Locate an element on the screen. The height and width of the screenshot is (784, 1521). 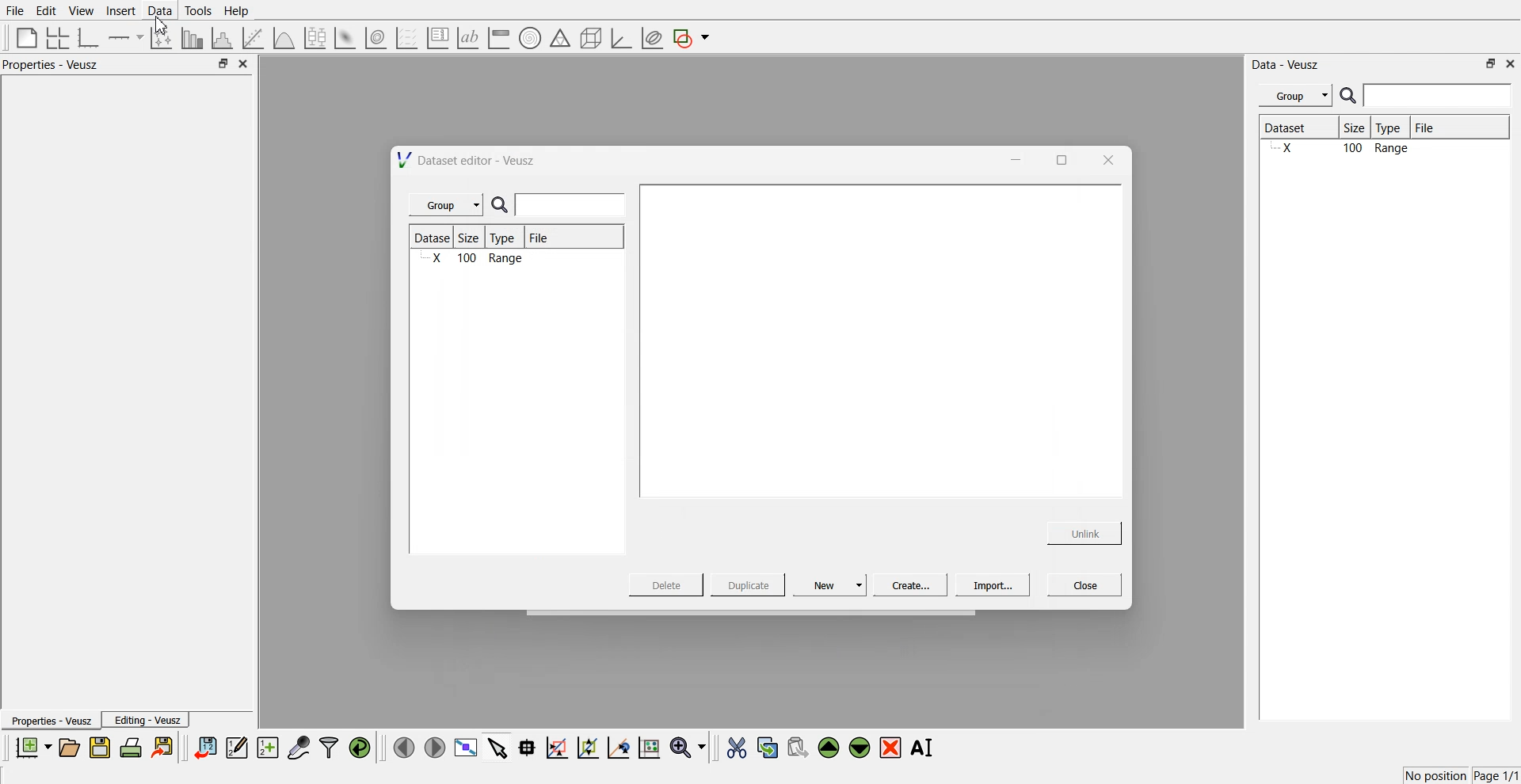
arrange graphs is located at coordinates (55, 37).